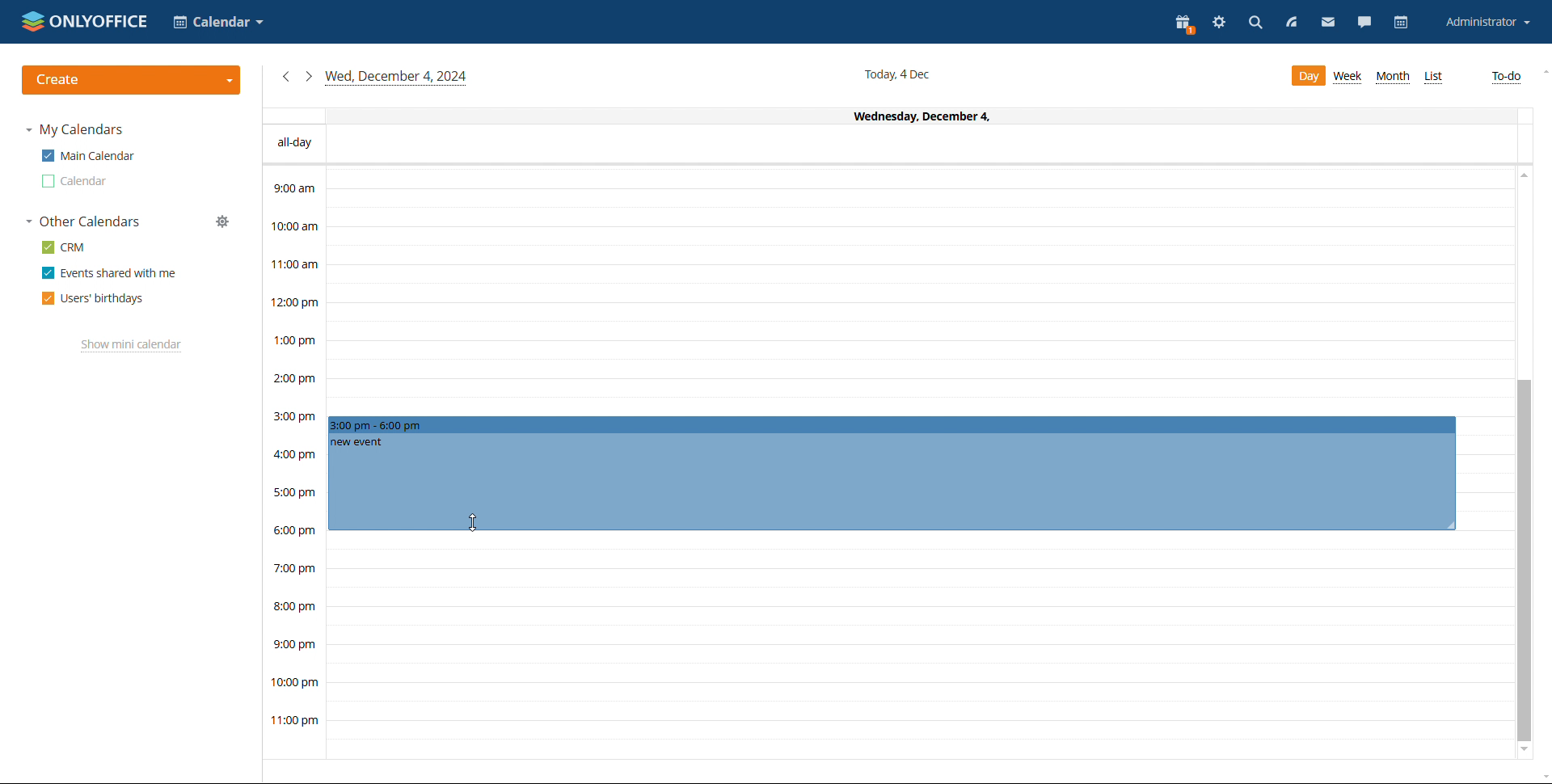 Image resolution: width=1552 pixels, height=784 pixels. What do you see at coordinates (1432, 78) in the screenshot?
I see `list view` at bounding box center [1432, 78].